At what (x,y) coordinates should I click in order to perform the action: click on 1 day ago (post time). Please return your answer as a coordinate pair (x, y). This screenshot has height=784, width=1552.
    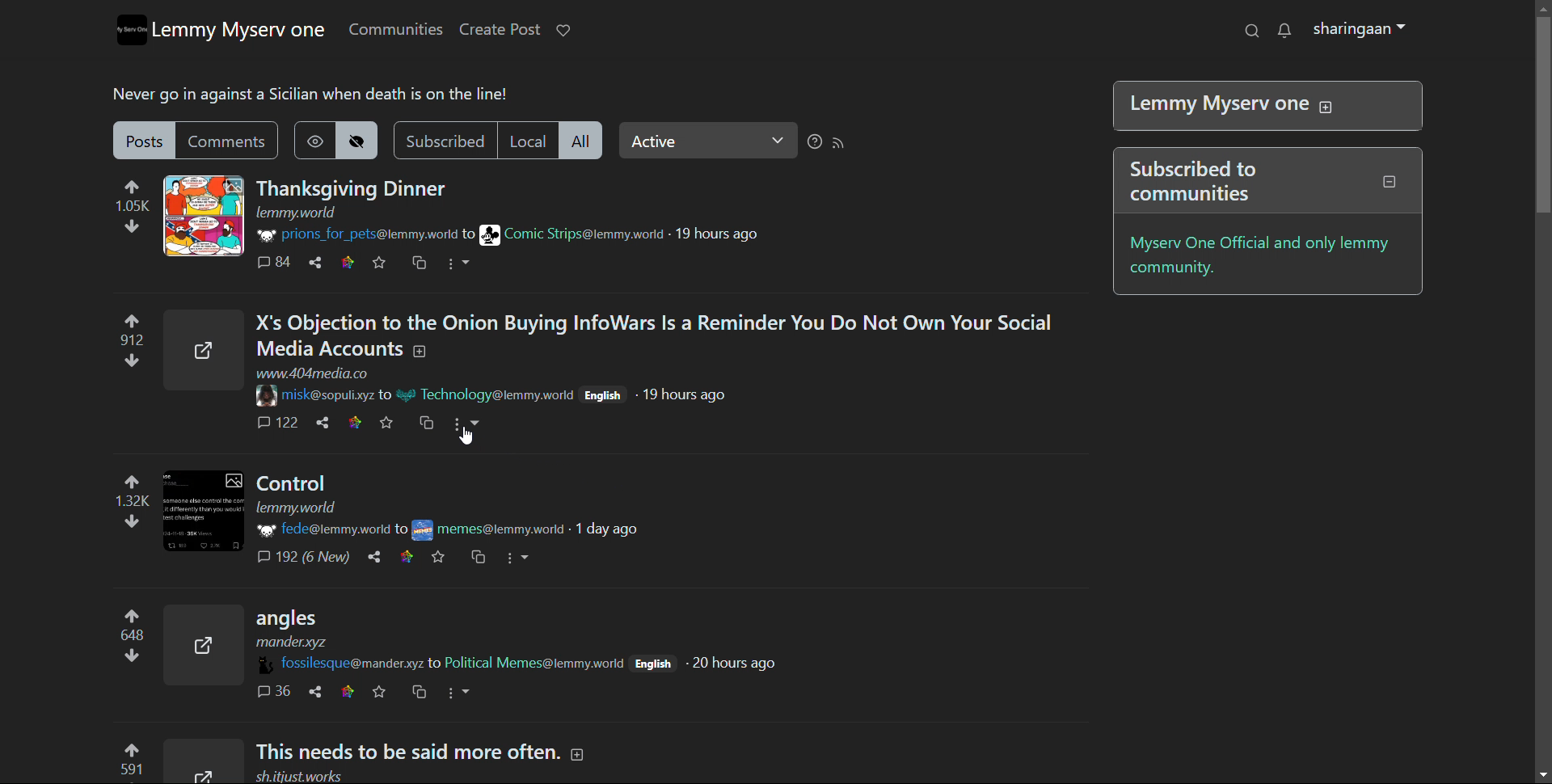
    Looking at the image, I should click on (609, 530).